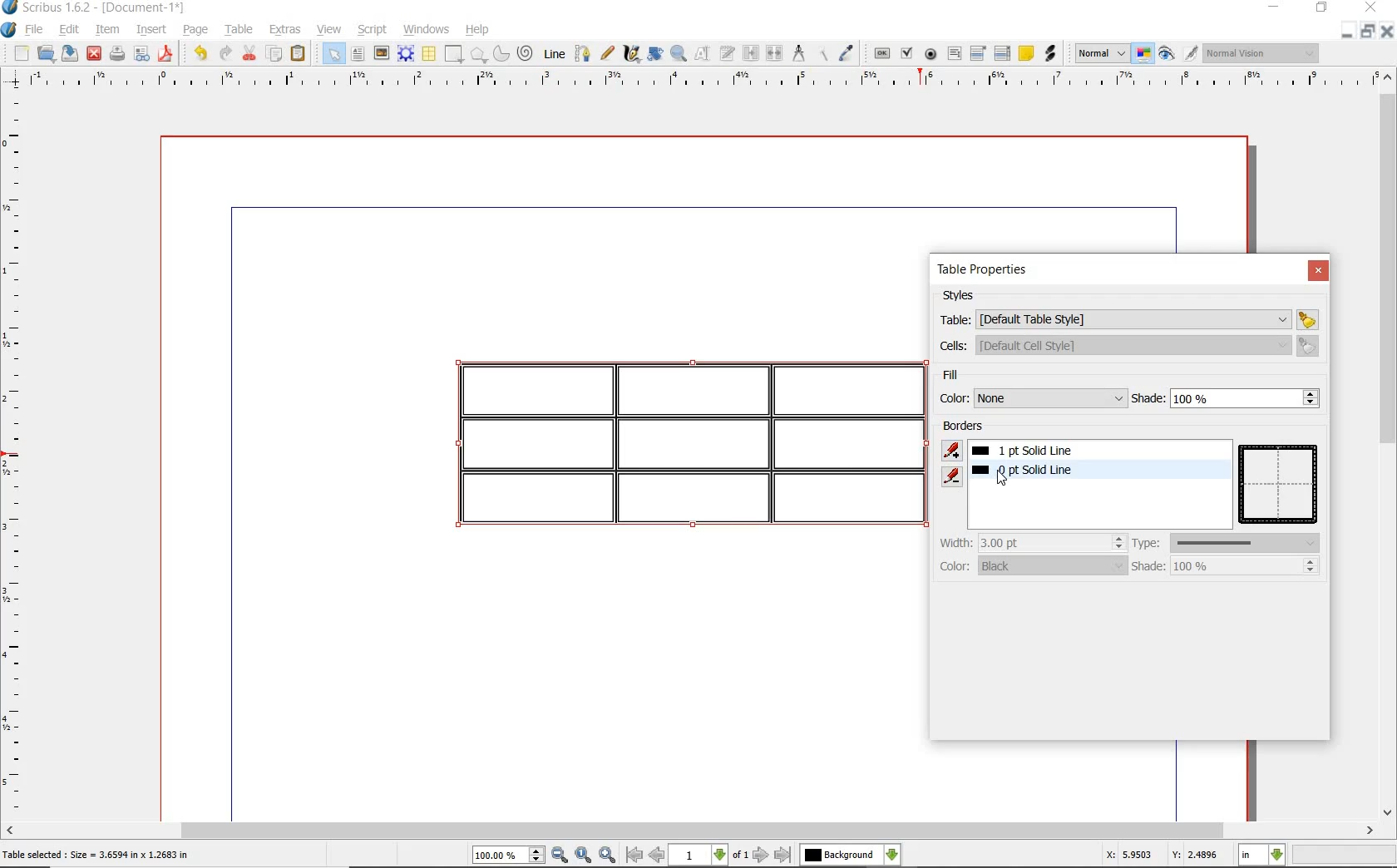 The height and width of the screenshot is (868, 1397). I want to click on edit content of frame, so click(703, 54).